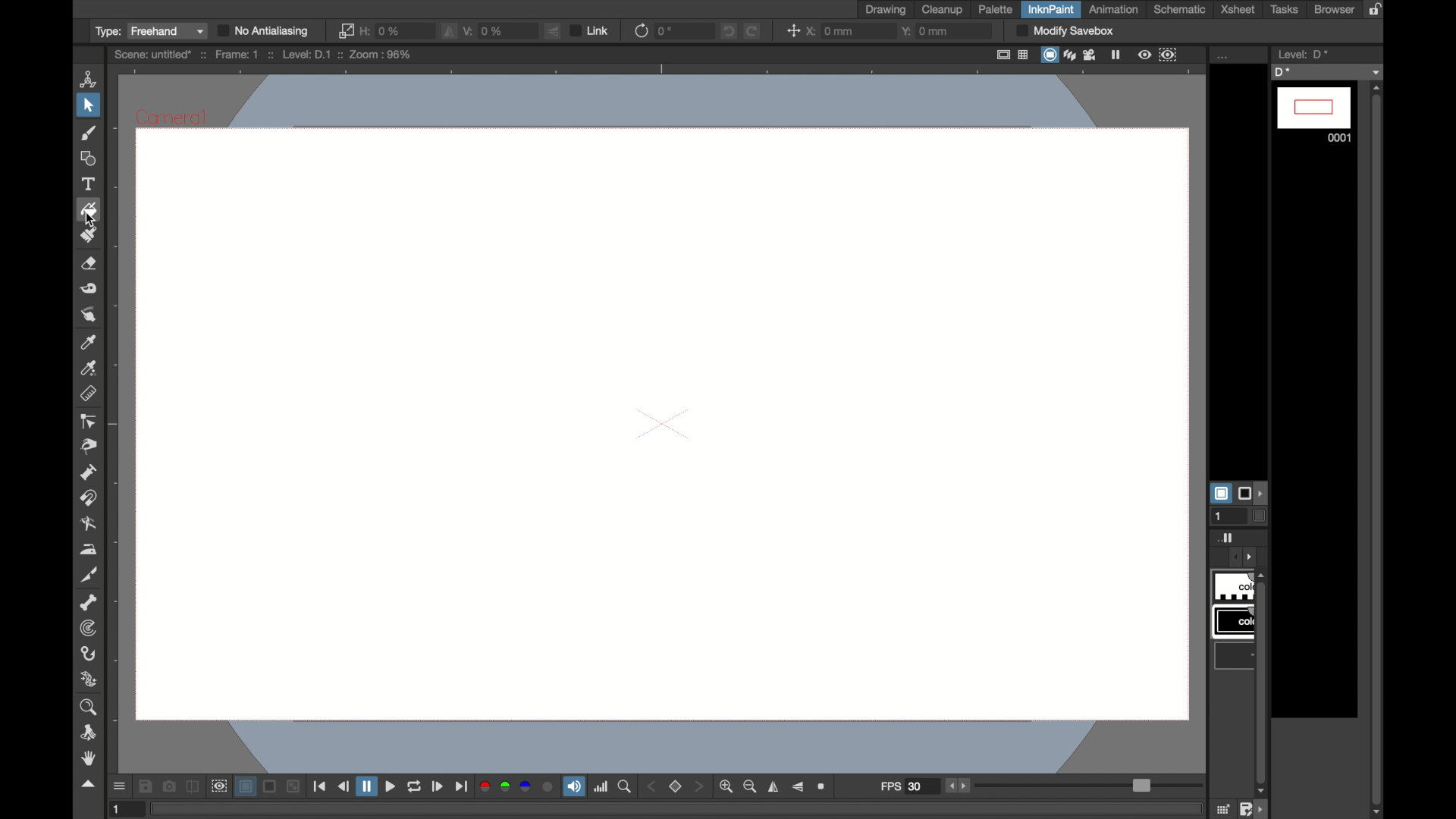 The height and width of the screenshot is (819, 1456). What do you see at coordinates (526, 787) in the screenshot?
I see `blue` at bounding box center [526, 787].